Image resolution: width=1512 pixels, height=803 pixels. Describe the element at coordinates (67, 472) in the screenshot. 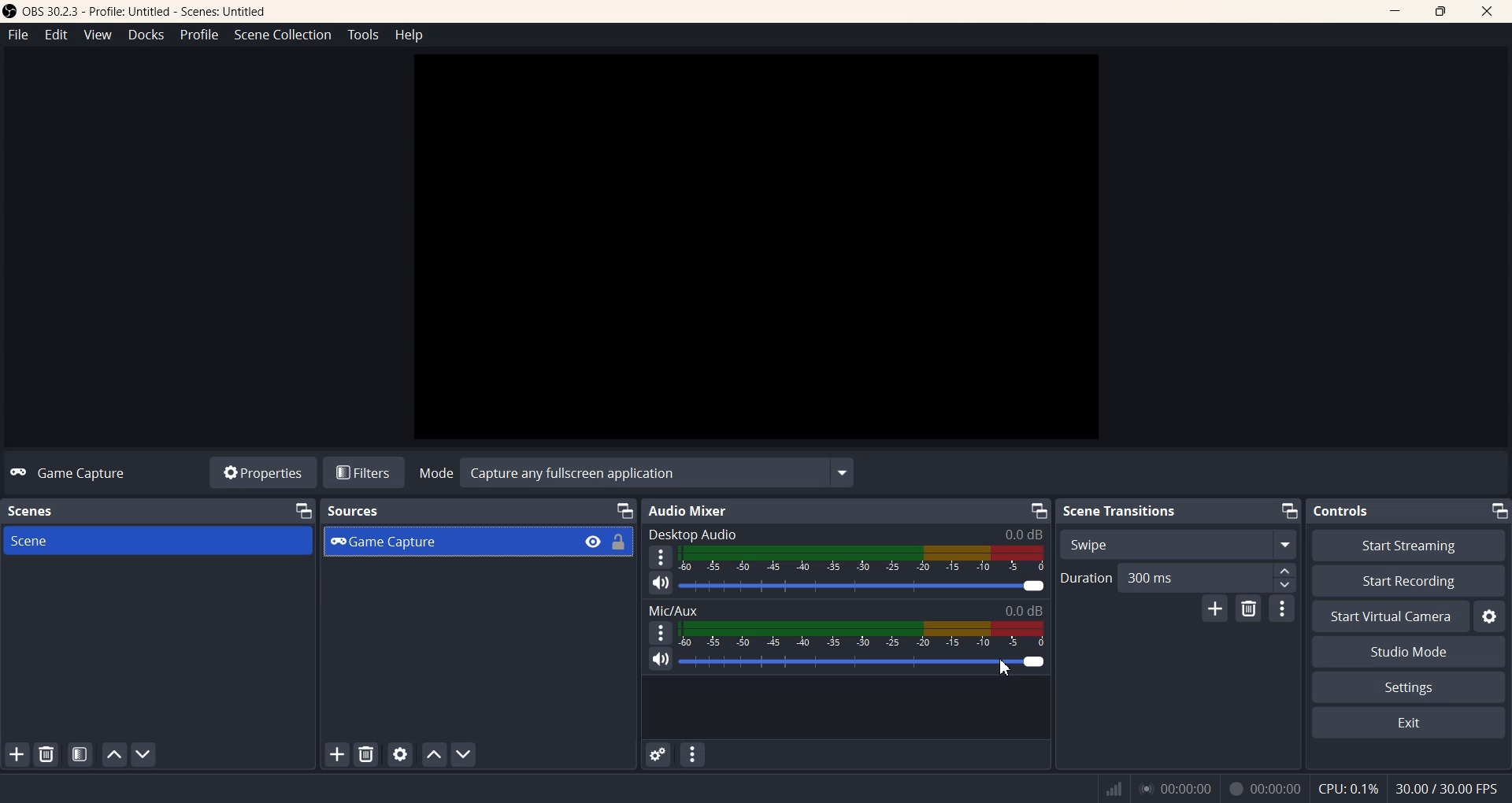

I see `Text` at that location.